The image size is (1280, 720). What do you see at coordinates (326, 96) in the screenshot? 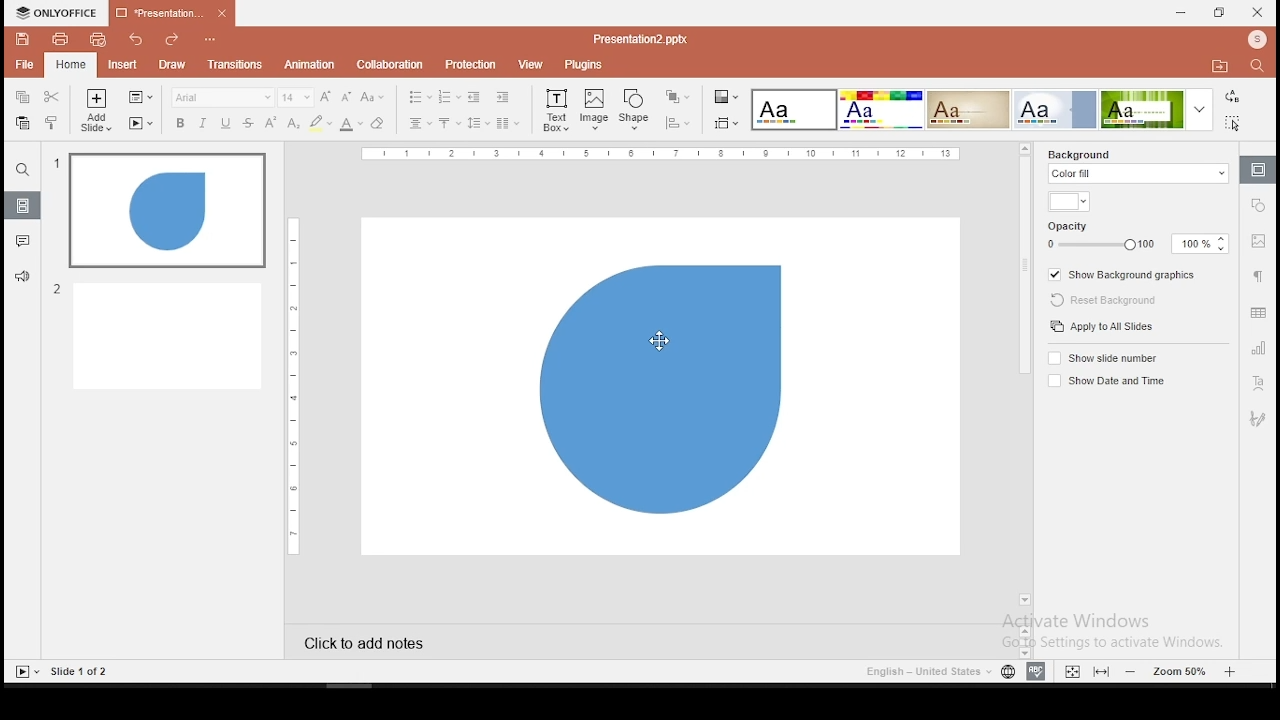
I see `increase font size` at bounding box center [326, 96].